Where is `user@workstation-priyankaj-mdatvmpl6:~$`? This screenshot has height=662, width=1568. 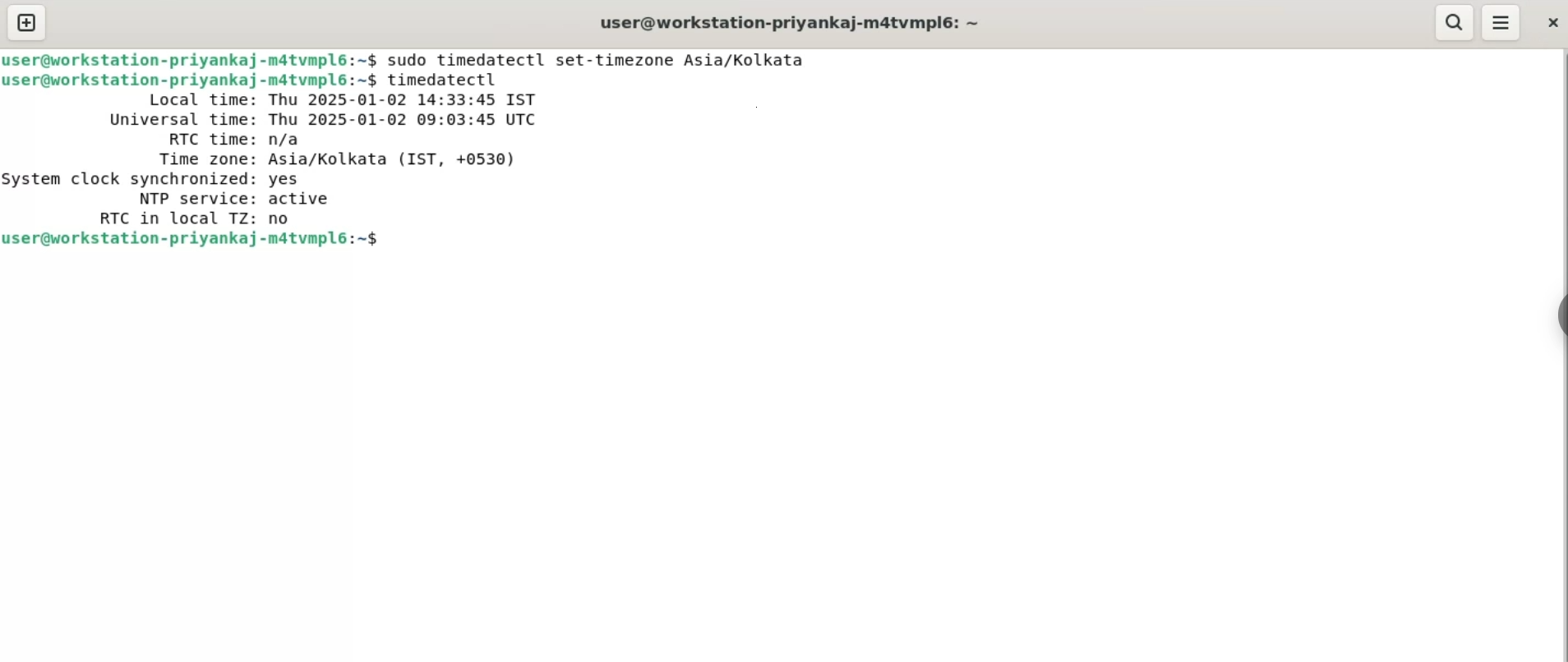 user@workstation-priyankaj-mdatvmpl6:~$ is located at coordinates (195, 80).